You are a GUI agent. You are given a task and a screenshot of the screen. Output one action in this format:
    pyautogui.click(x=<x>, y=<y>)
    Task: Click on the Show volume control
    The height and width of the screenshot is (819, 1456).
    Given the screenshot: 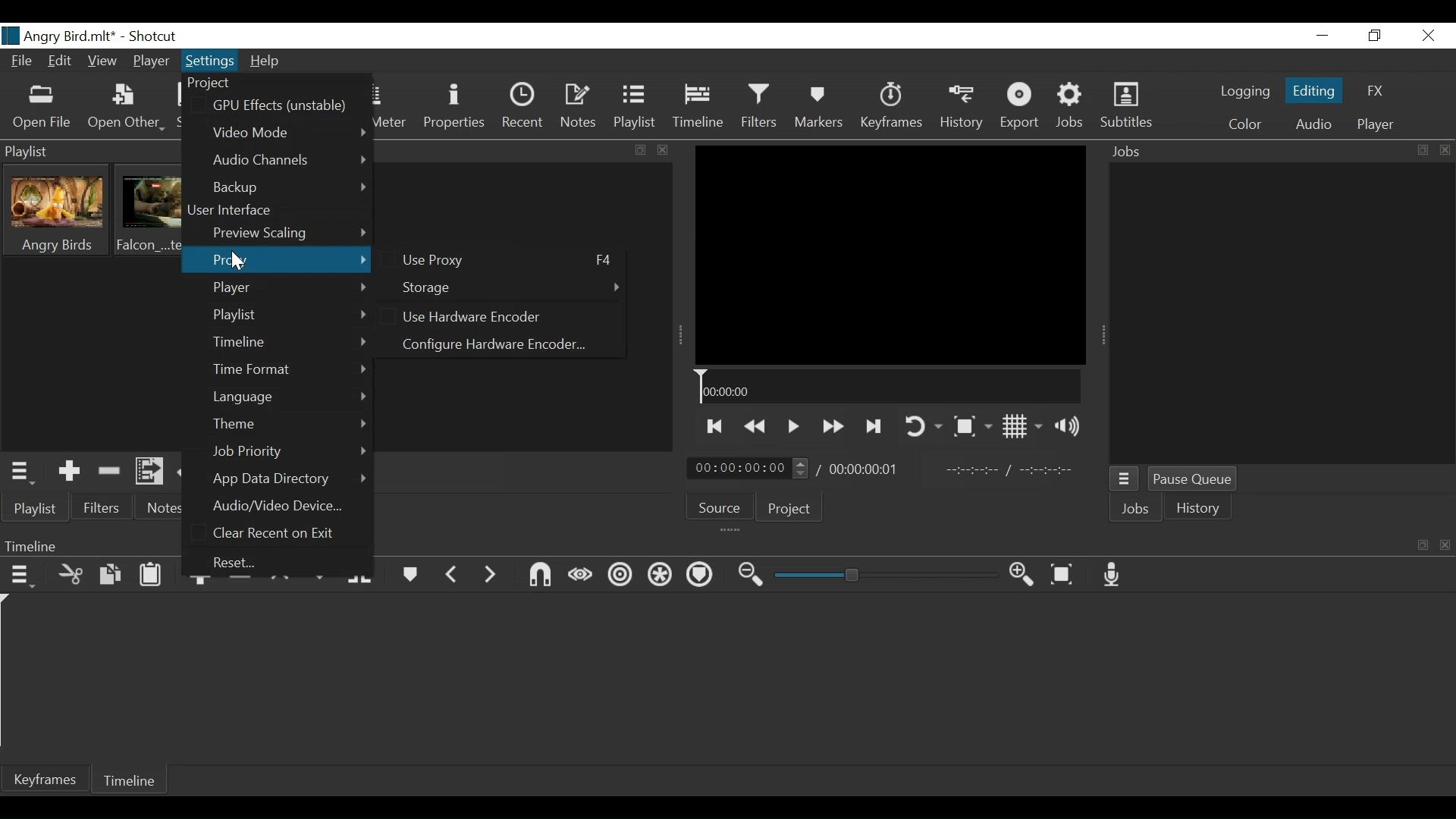 What is the action you would take?
    pyautogui.click(x=1068, y=426)
    